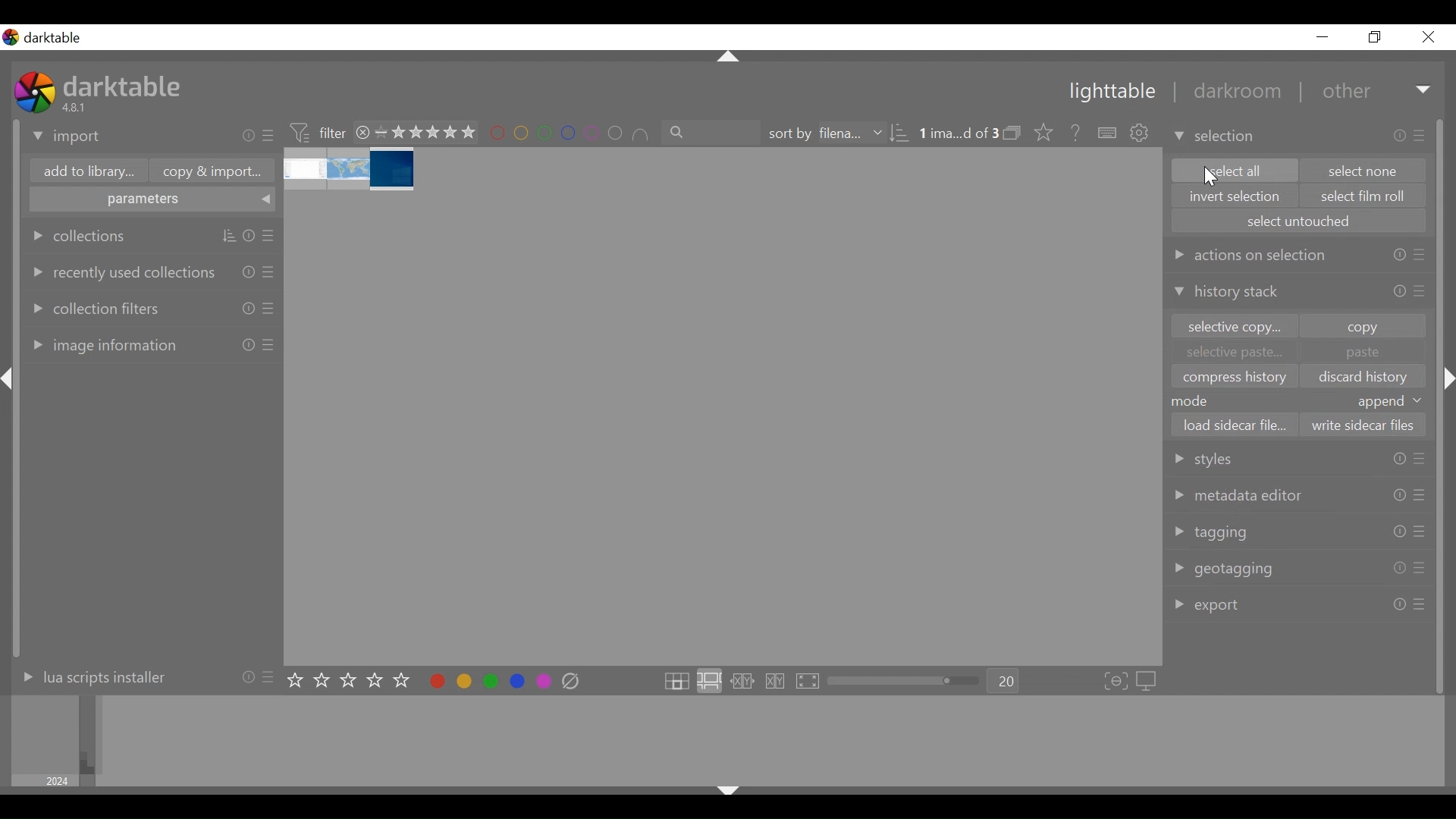 The width and height of the screenshot is (1456, 819). Describe the element at coordinates (1249, 254) in the screenshot. I see `actions on selection` at that location.